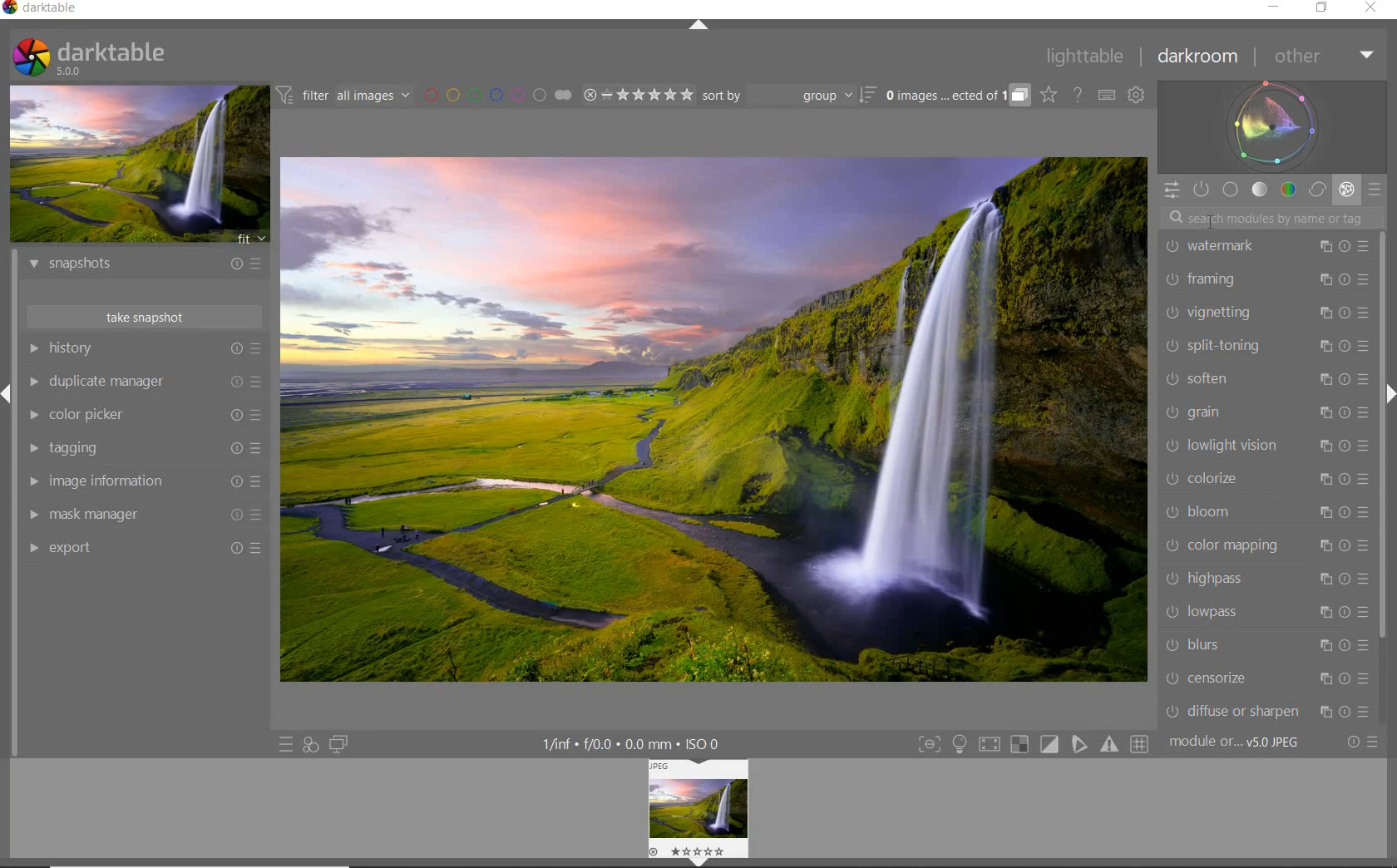  I want to click on lighttable, so click(1089, 57).